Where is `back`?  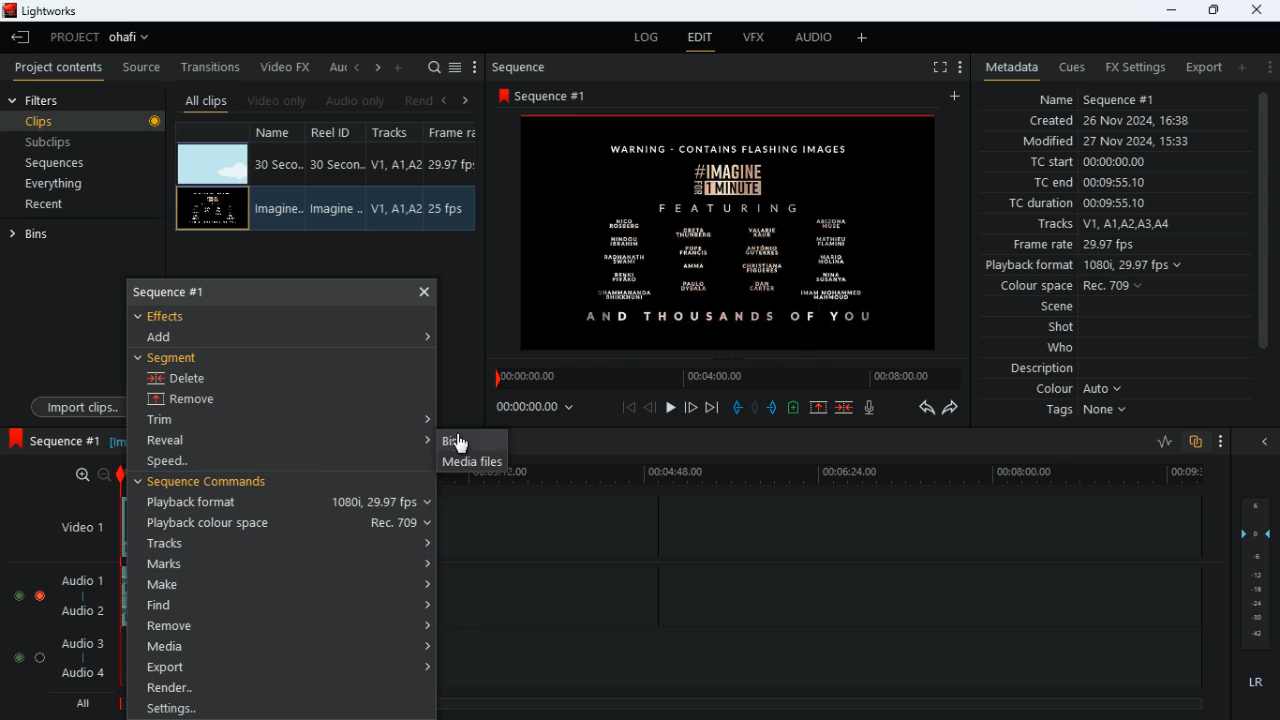 back is located at coordinates (21, 38).